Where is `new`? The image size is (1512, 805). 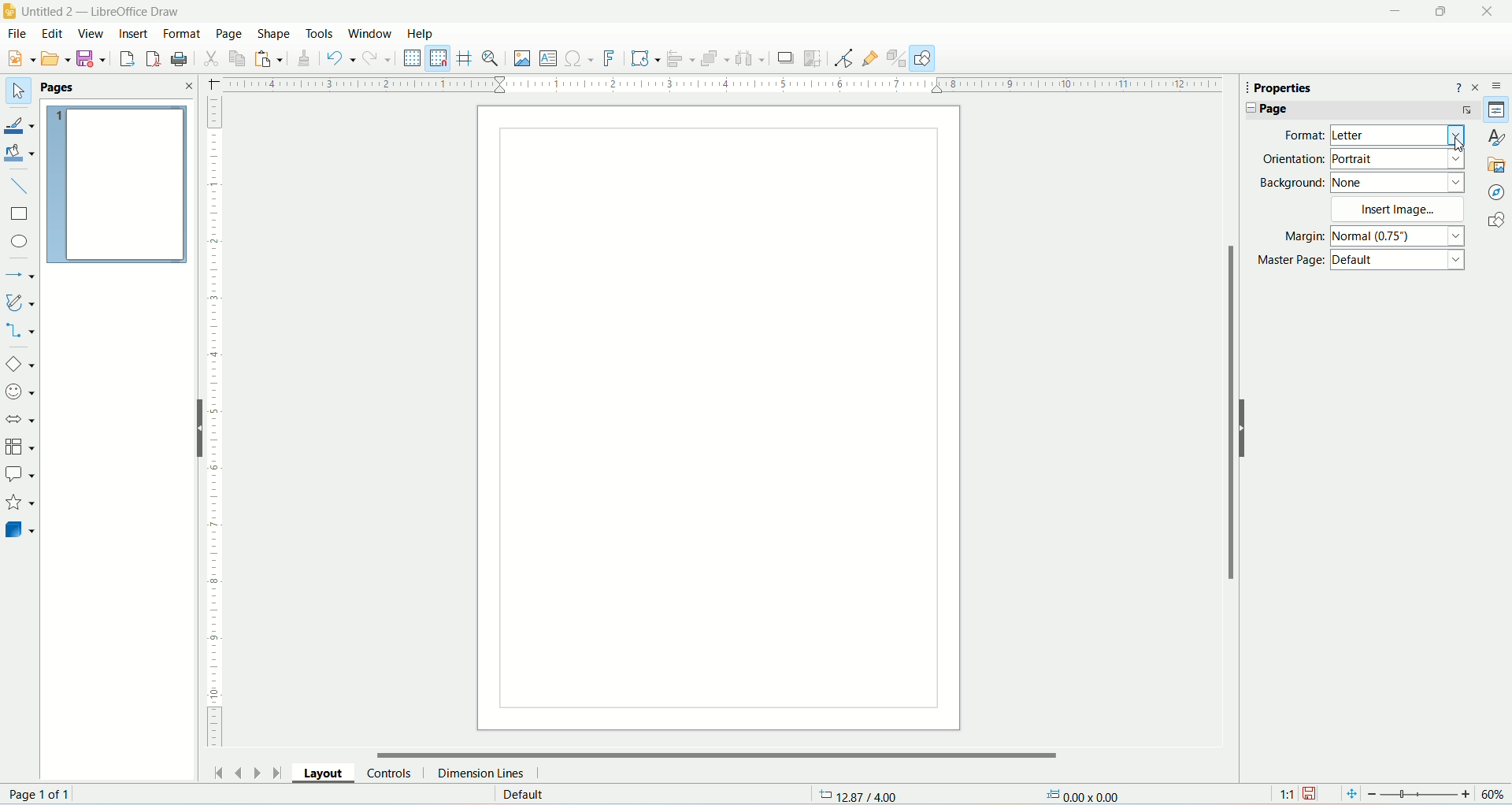
new is located at coordinates (24, 58).